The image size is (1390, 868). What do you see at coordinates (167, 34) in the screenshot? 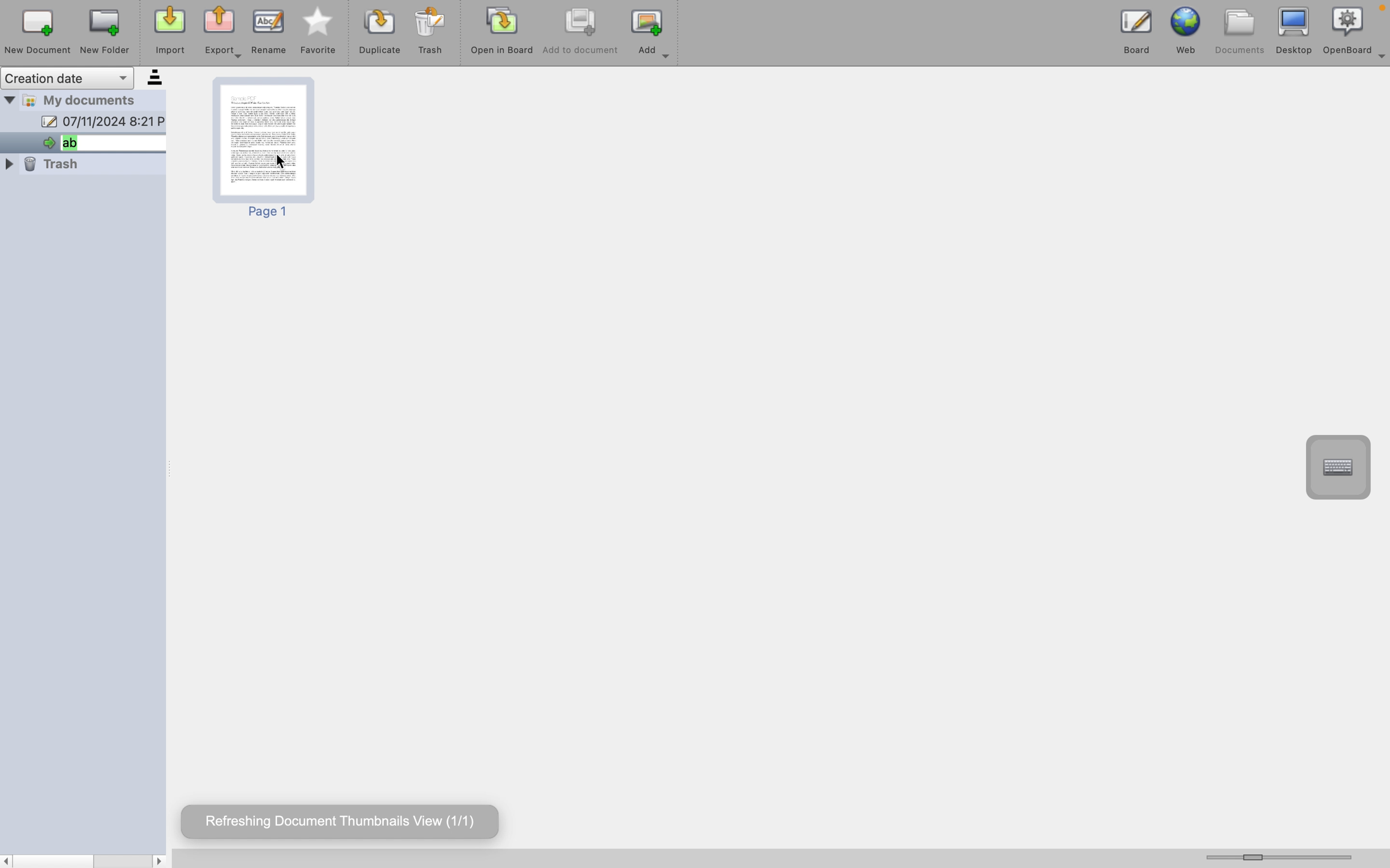
I see `import` at bounding box center [167, 34].